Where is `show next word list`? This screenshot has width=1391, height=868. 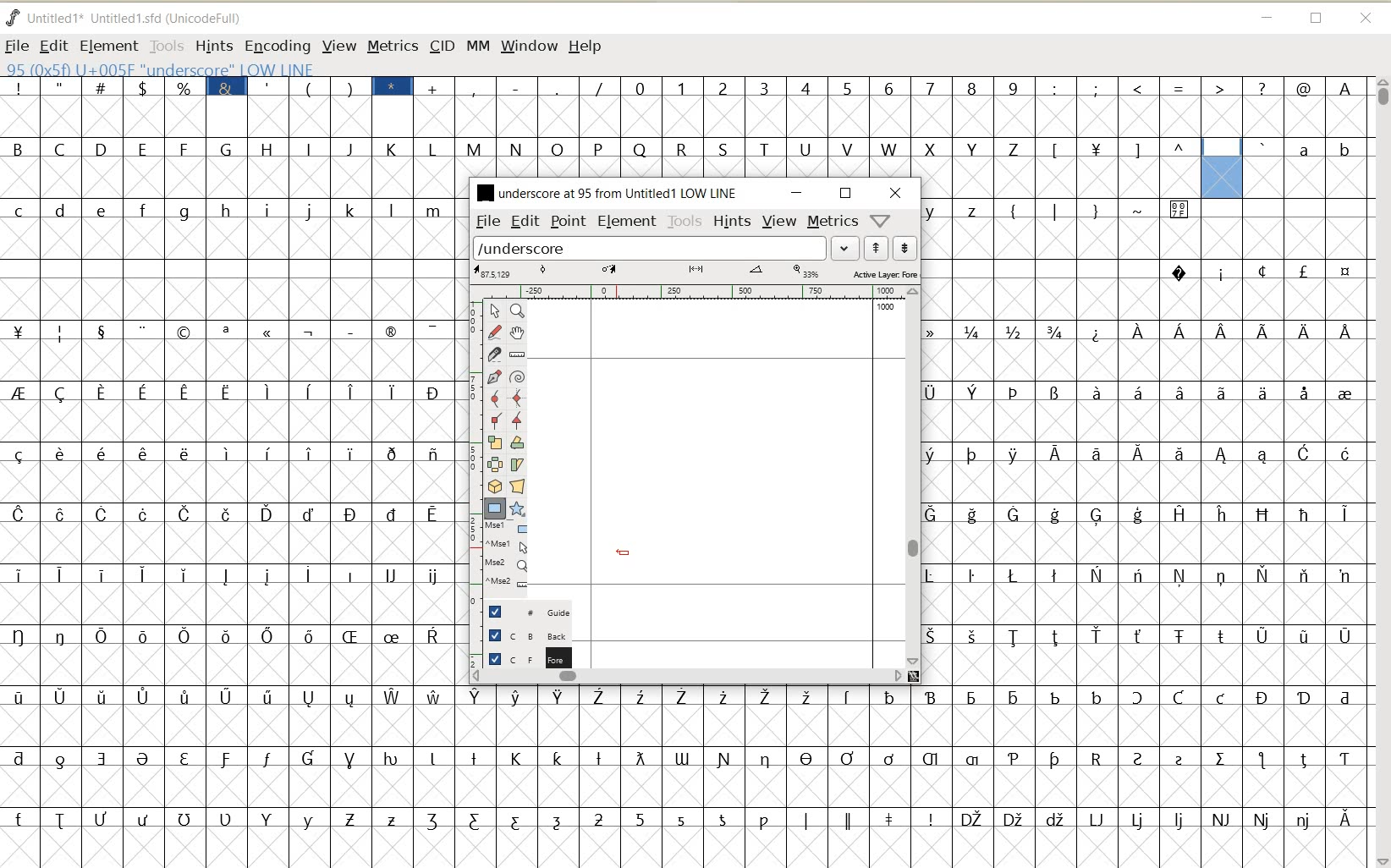 show next word list is located at coordinates (905, 248).